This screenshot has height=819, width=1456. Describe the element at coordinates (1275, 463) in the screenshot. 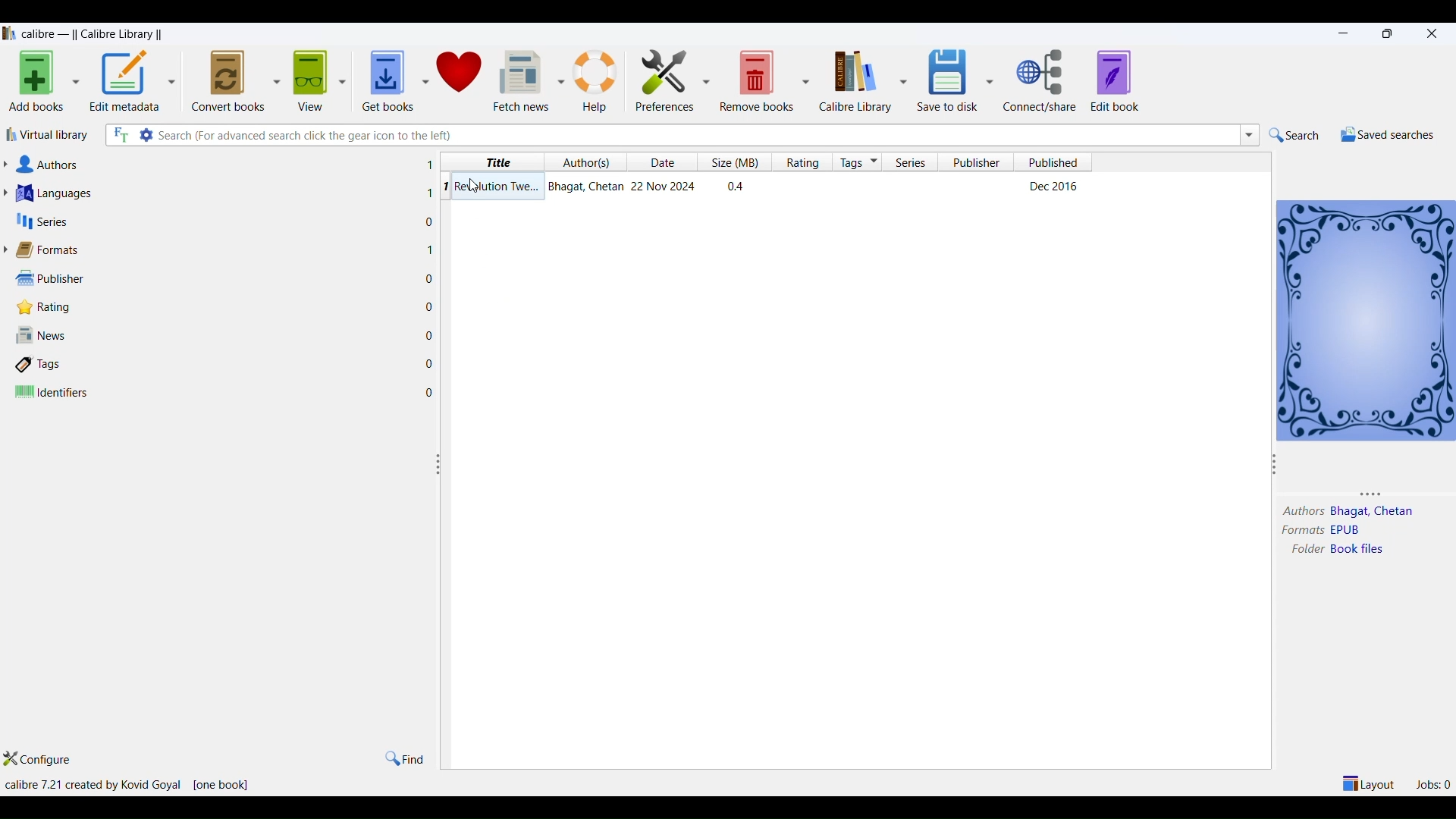

I see `resize` at that location.